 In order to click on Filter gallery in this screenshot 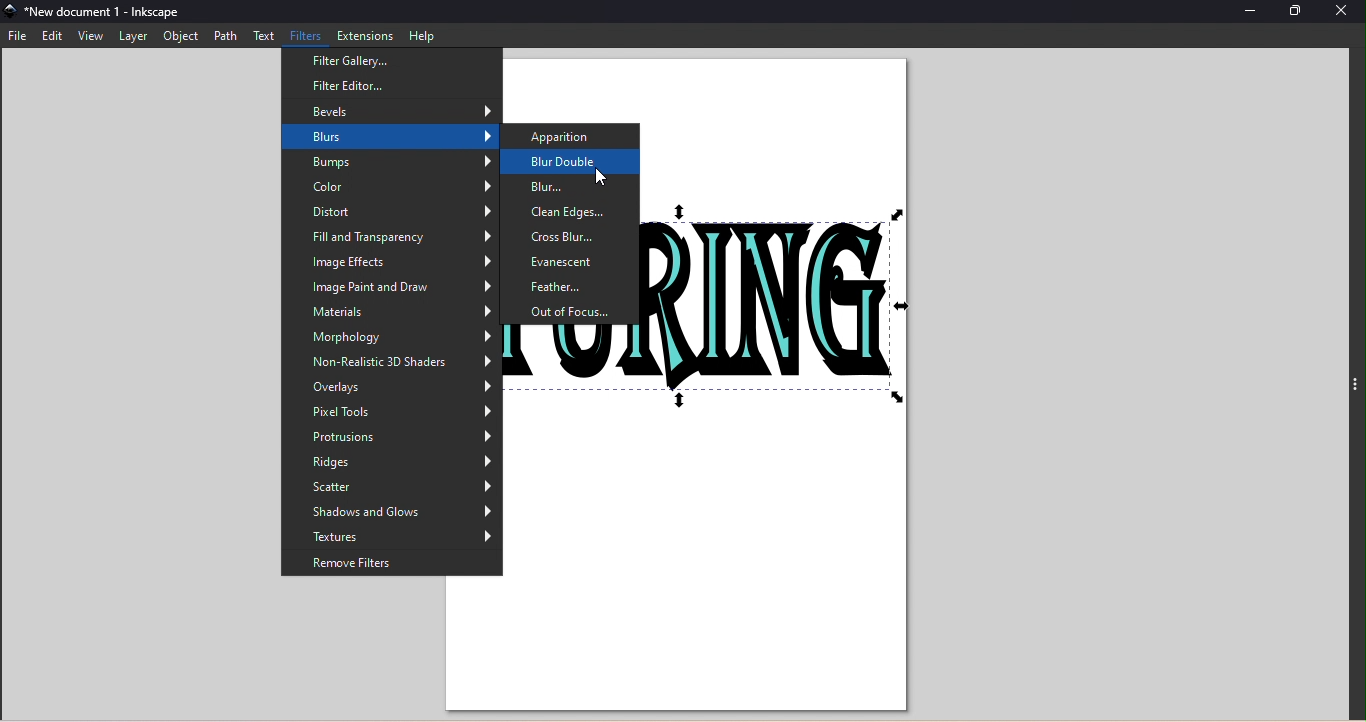, I will do `click(389, 62)`.